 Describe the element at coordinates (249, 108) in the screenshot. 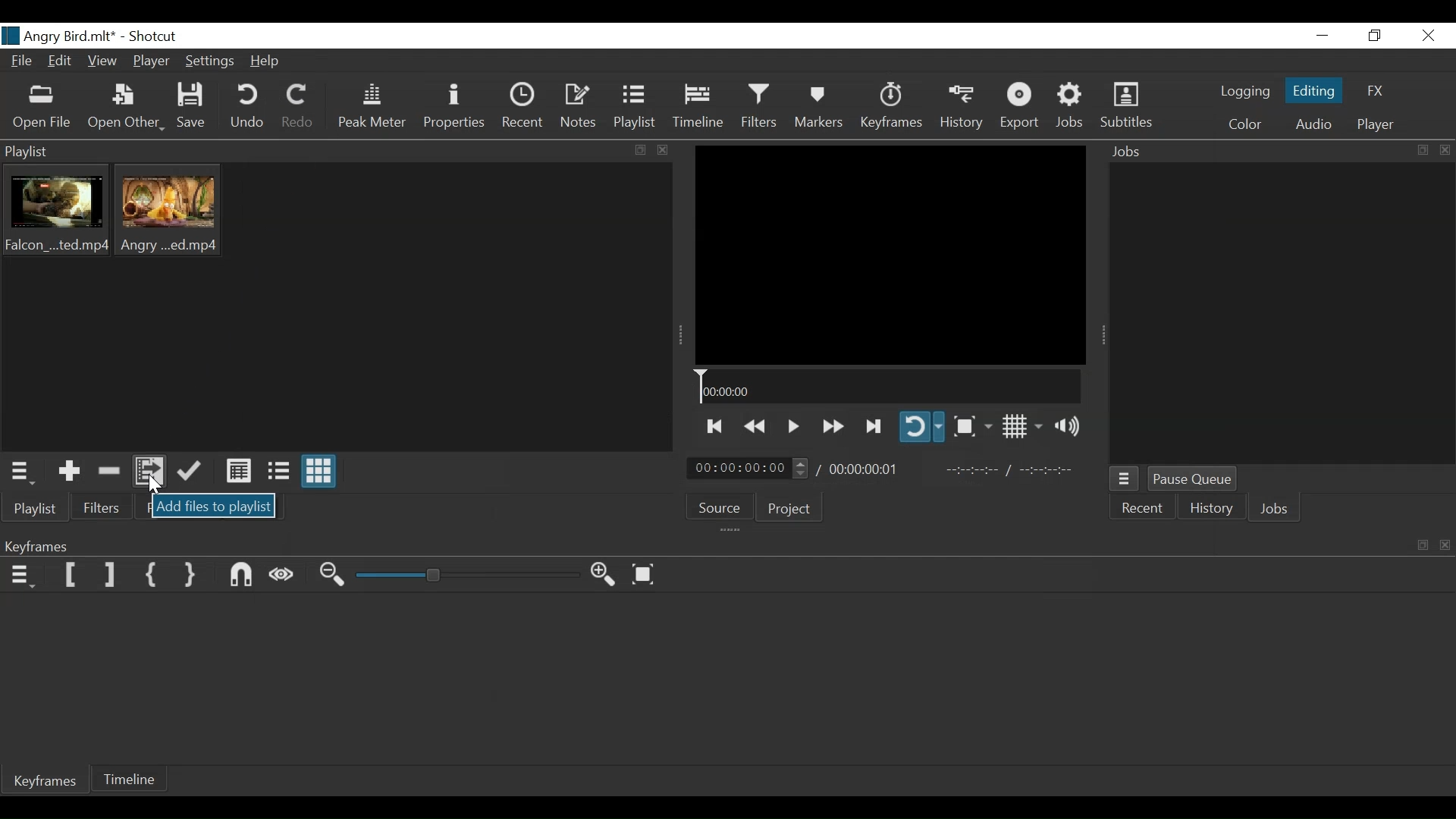

I see `Undo` at that location.